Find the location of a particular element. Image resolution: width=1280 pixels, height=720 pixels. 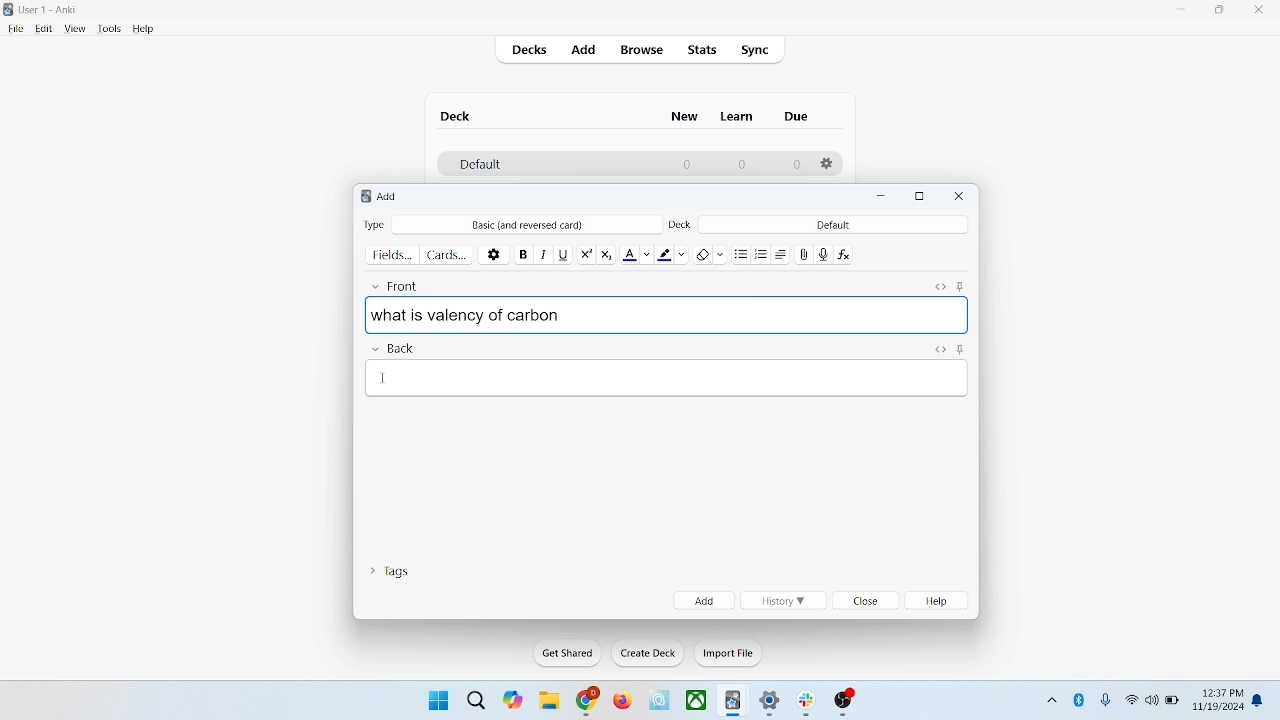

unordered list is located at coordinates (741, 253).